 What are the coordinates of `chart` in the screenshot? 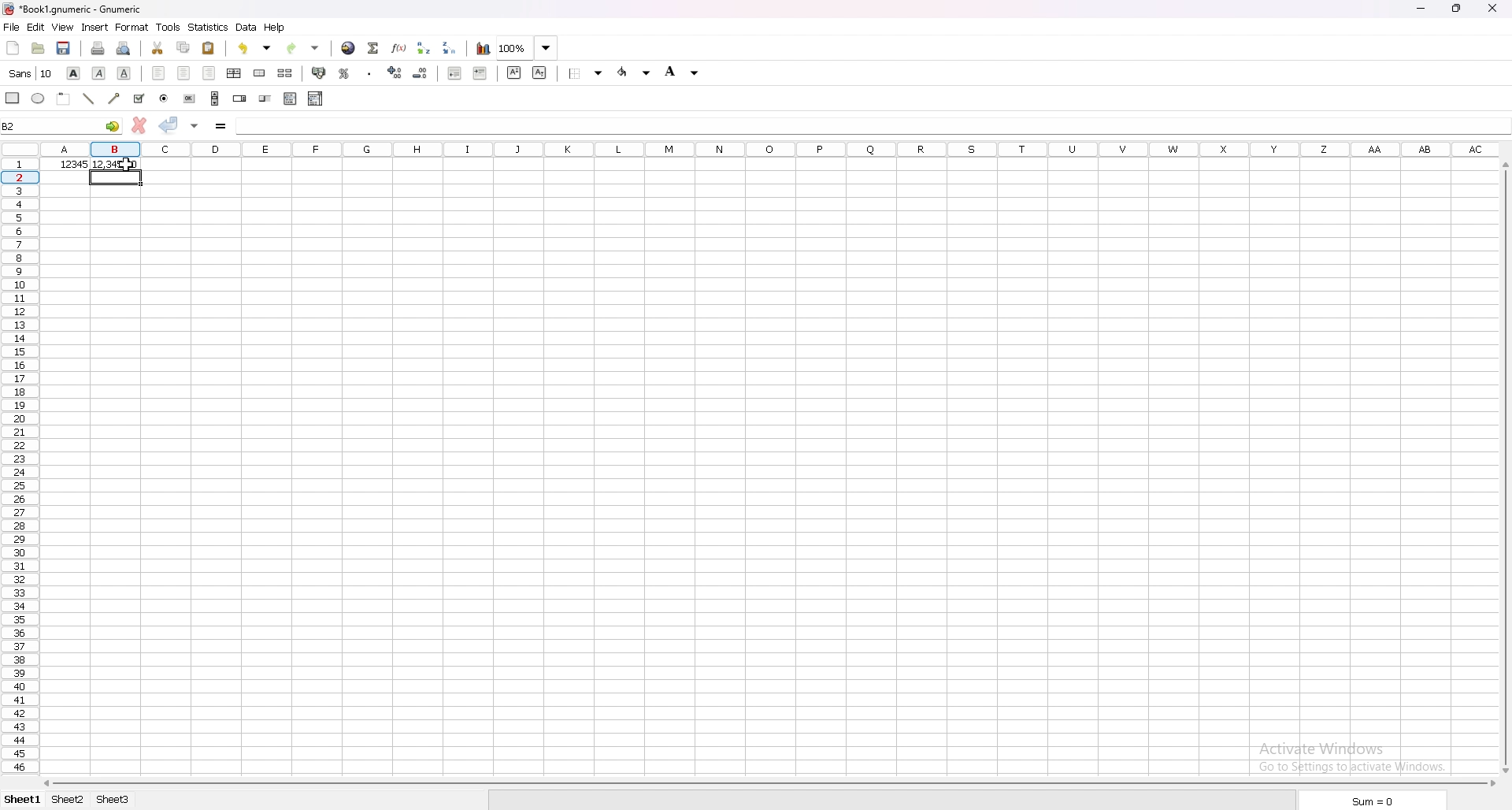 It's located at (484, 49).